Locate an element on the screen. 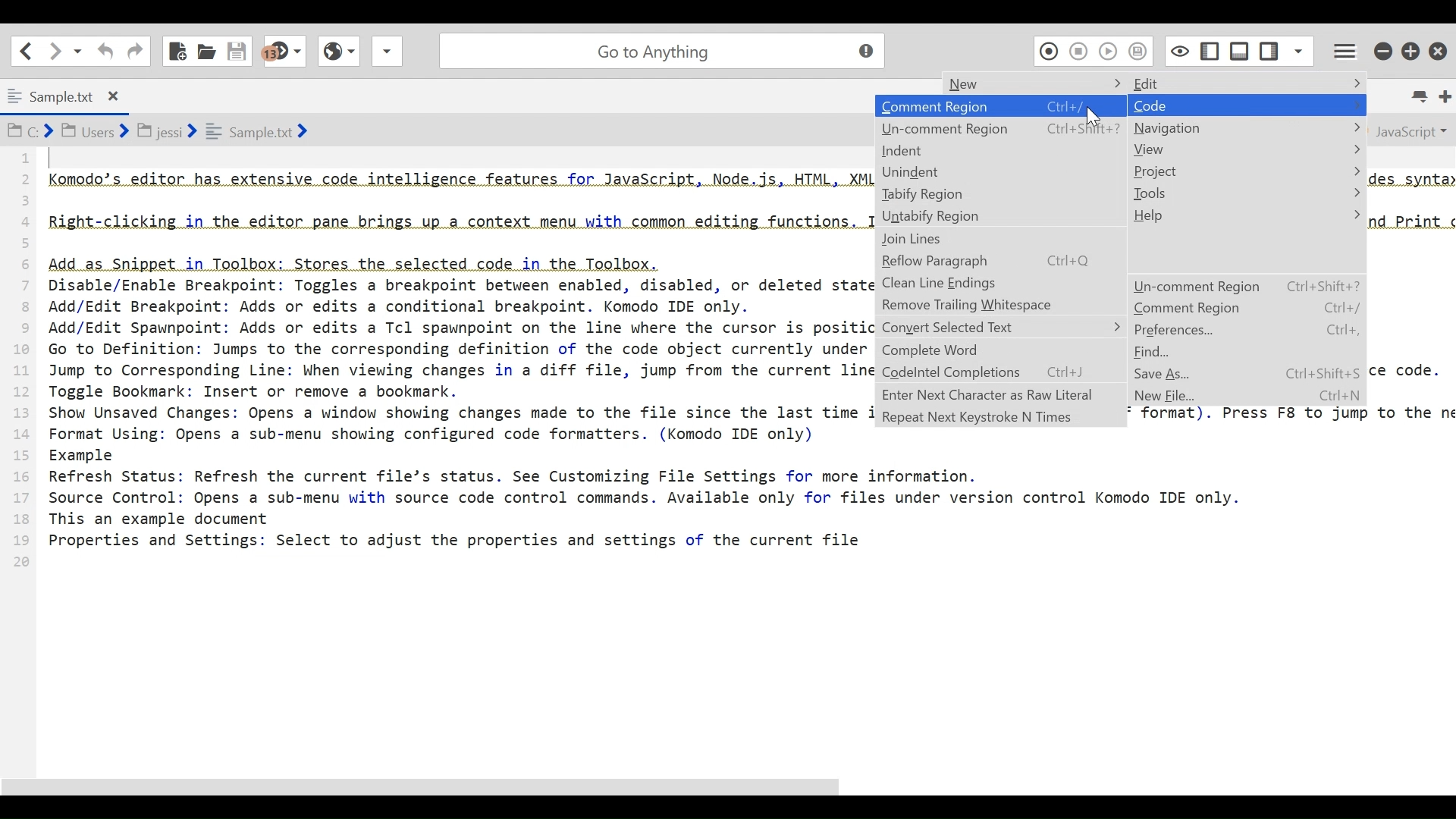 The image size is (1456, 819). Save As is located at coordinates (1172, 373).